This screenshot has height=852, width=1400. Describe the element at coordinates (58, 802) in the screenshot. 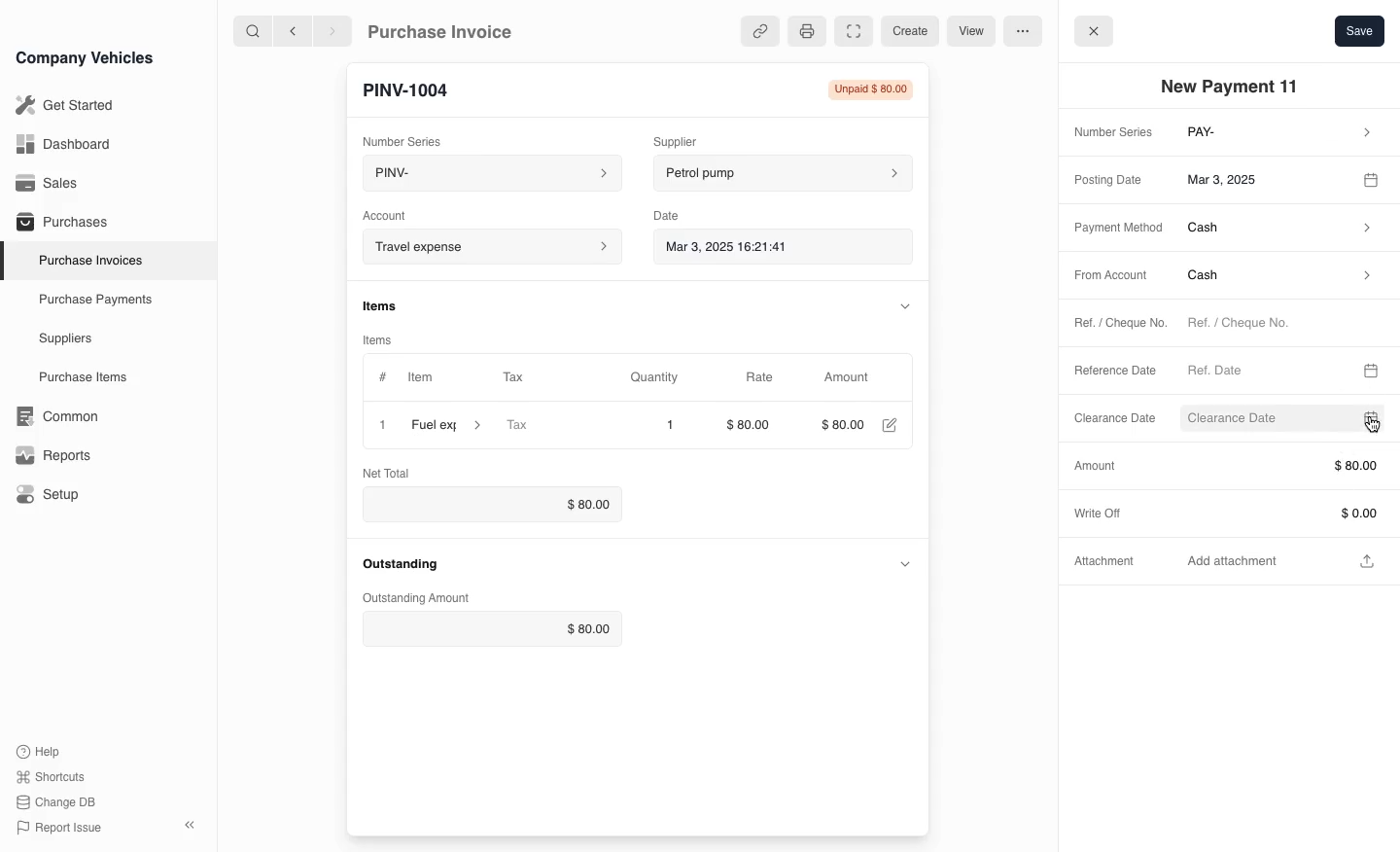

I see `change DB` at that location.